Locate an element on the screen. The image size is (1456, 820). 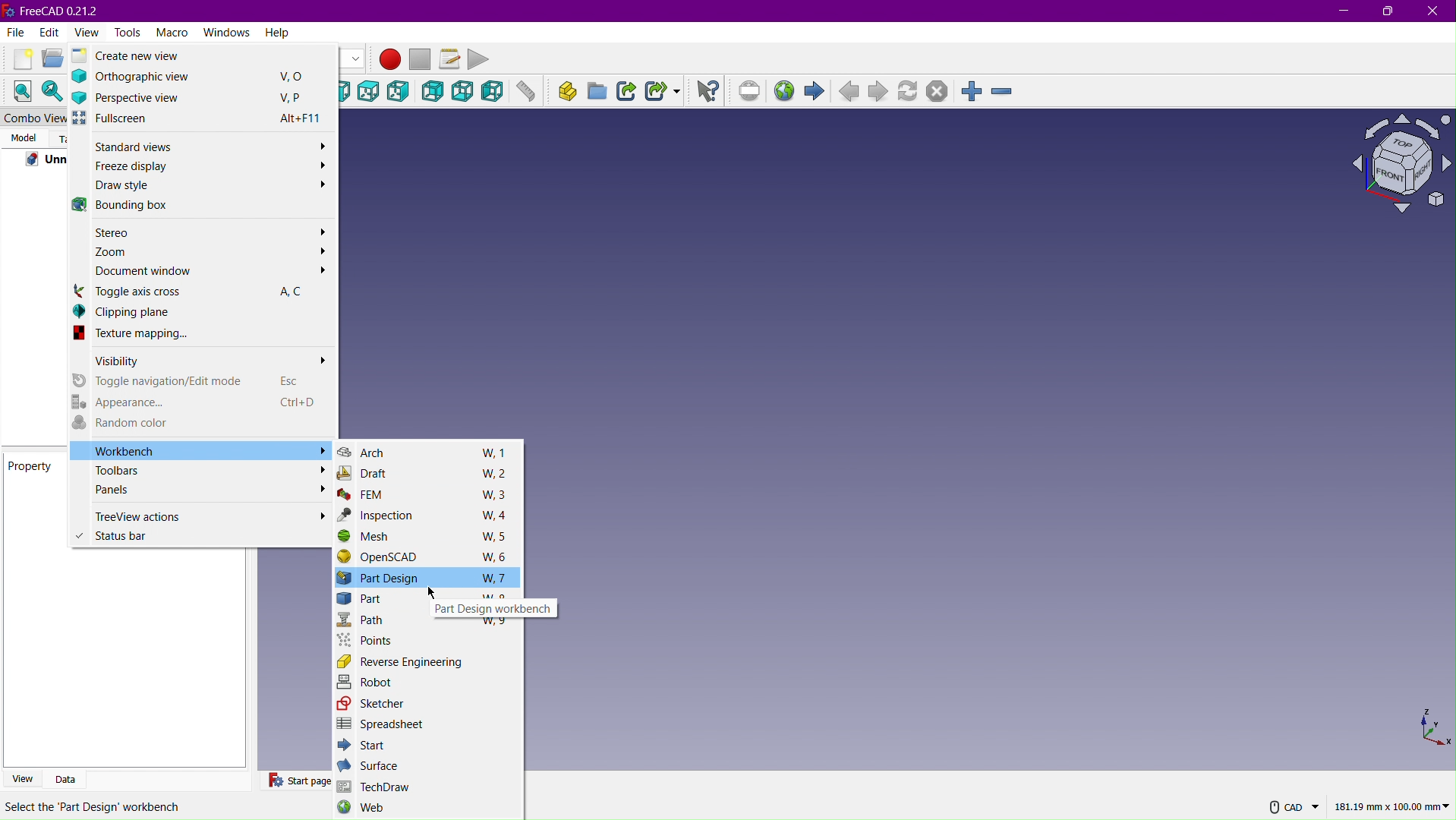
Clipping plane is located at coordinates (137, 311).